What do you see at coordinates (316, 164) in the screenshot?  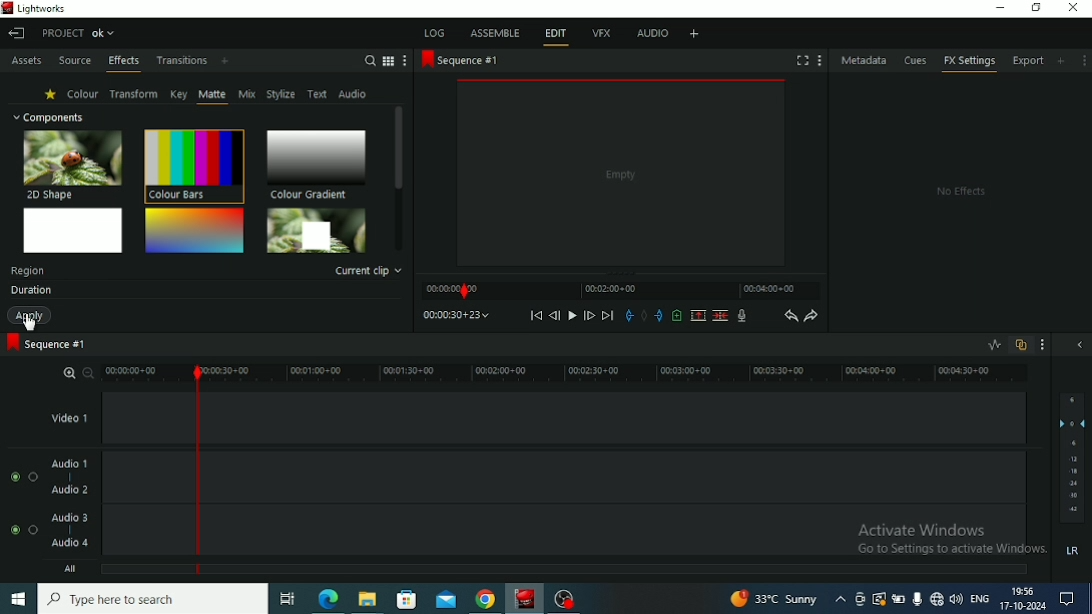 I see `Colour Gradient` at bounding box center [316, 164].